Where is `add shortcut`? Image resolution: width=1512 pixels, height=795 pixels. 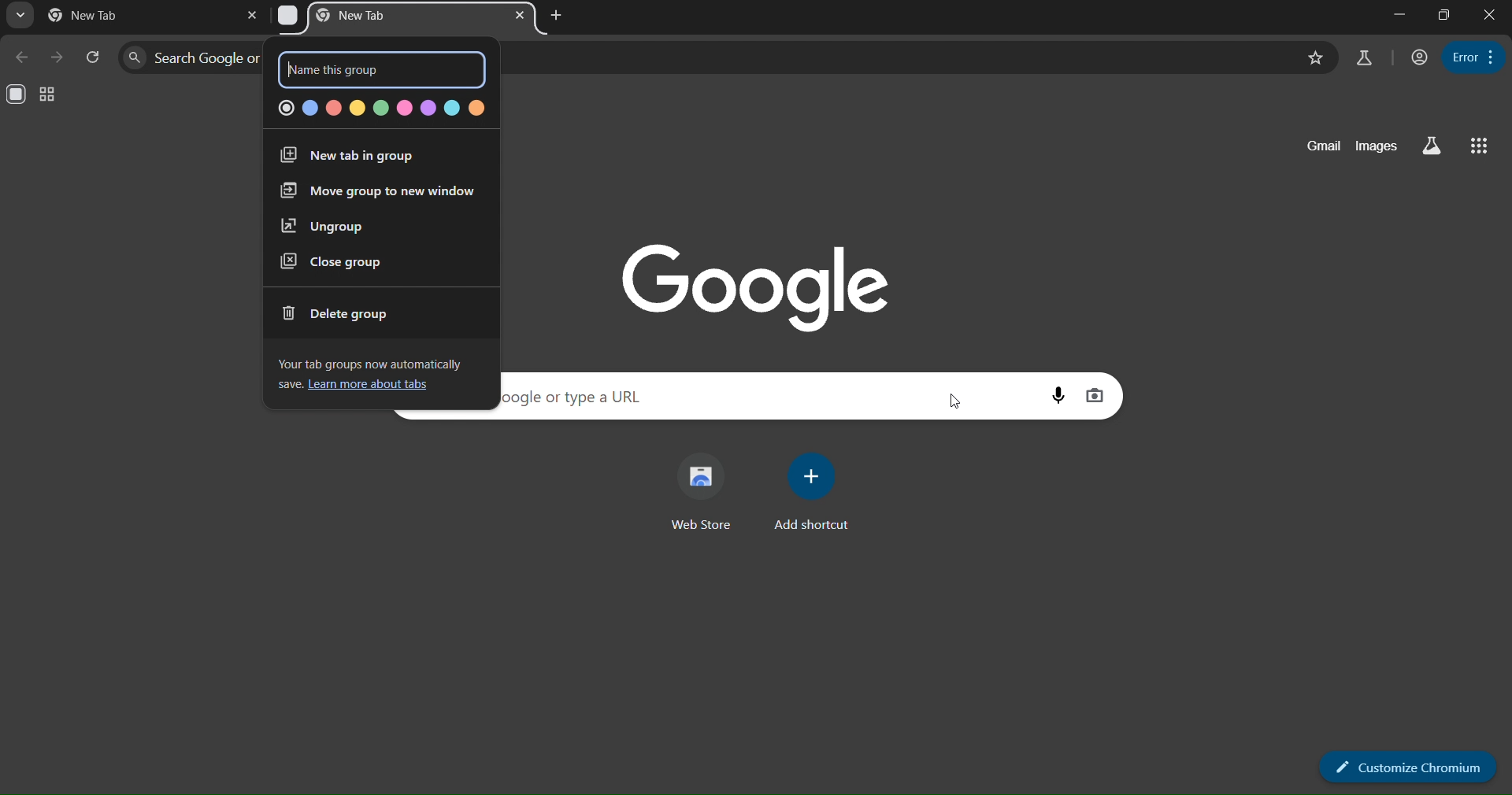 add shortcut is located at coordinates (813, 494).